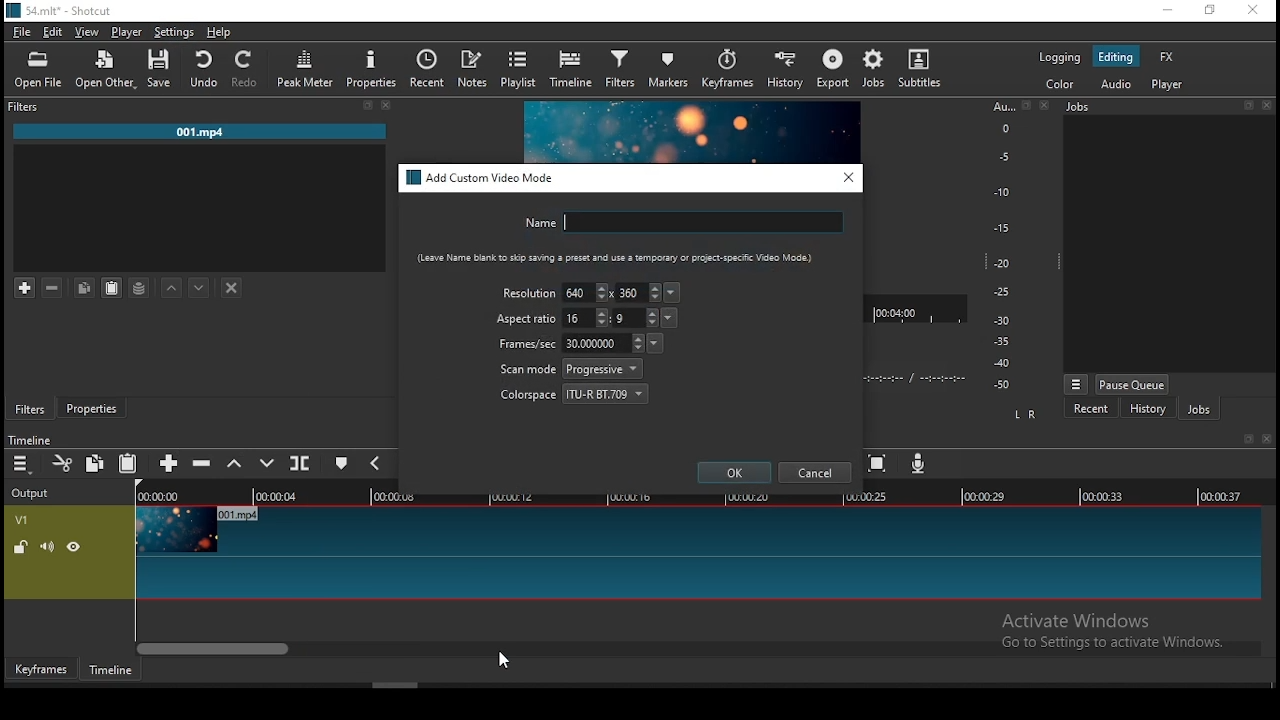  What do you see at coordinates (998, 342) in the screenshot?
I see `-35` at bounding box center [998, 342].